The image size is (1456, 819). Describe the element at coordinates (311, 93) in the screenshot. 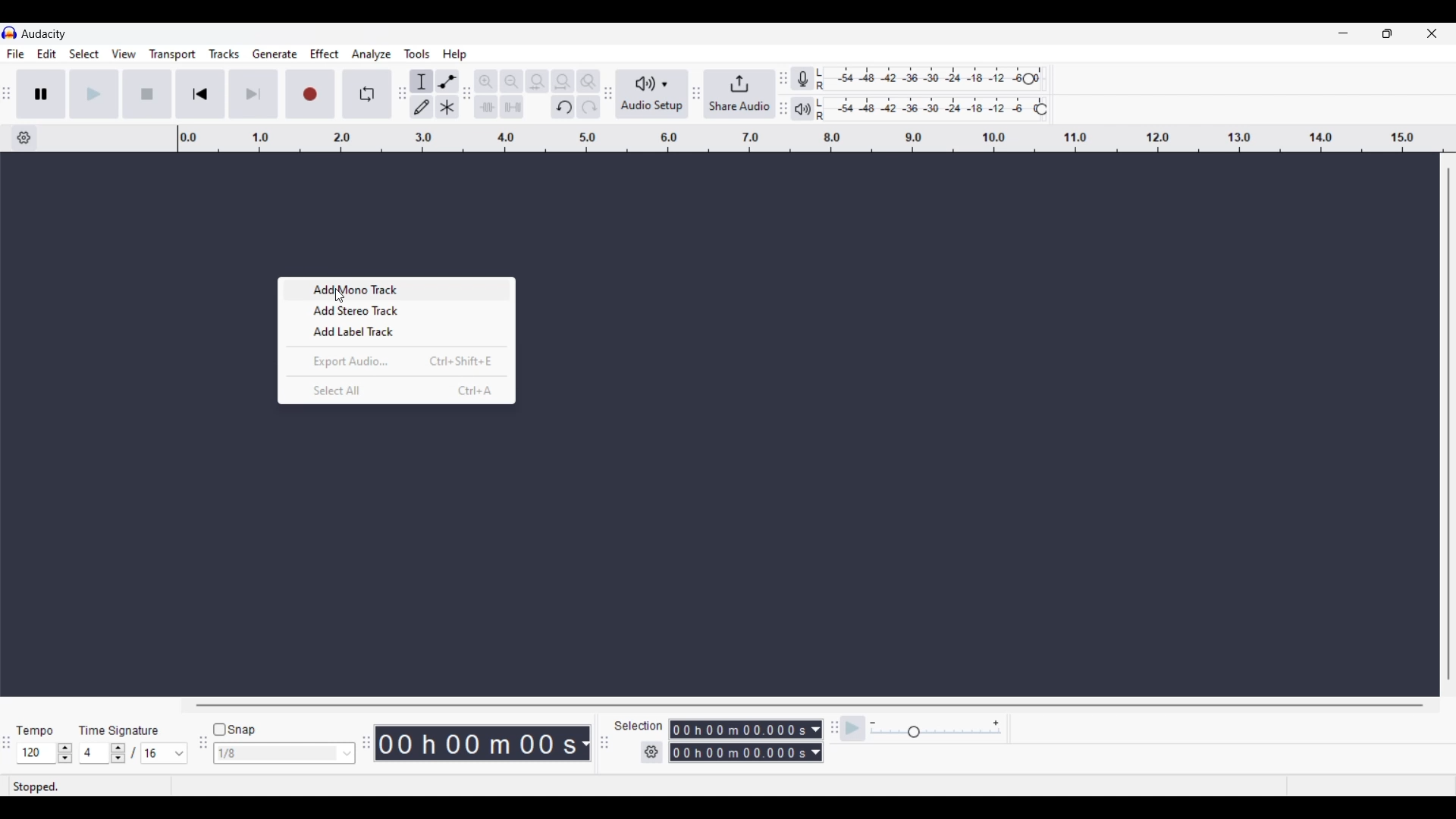

I see `Record/Record new track` at that location.